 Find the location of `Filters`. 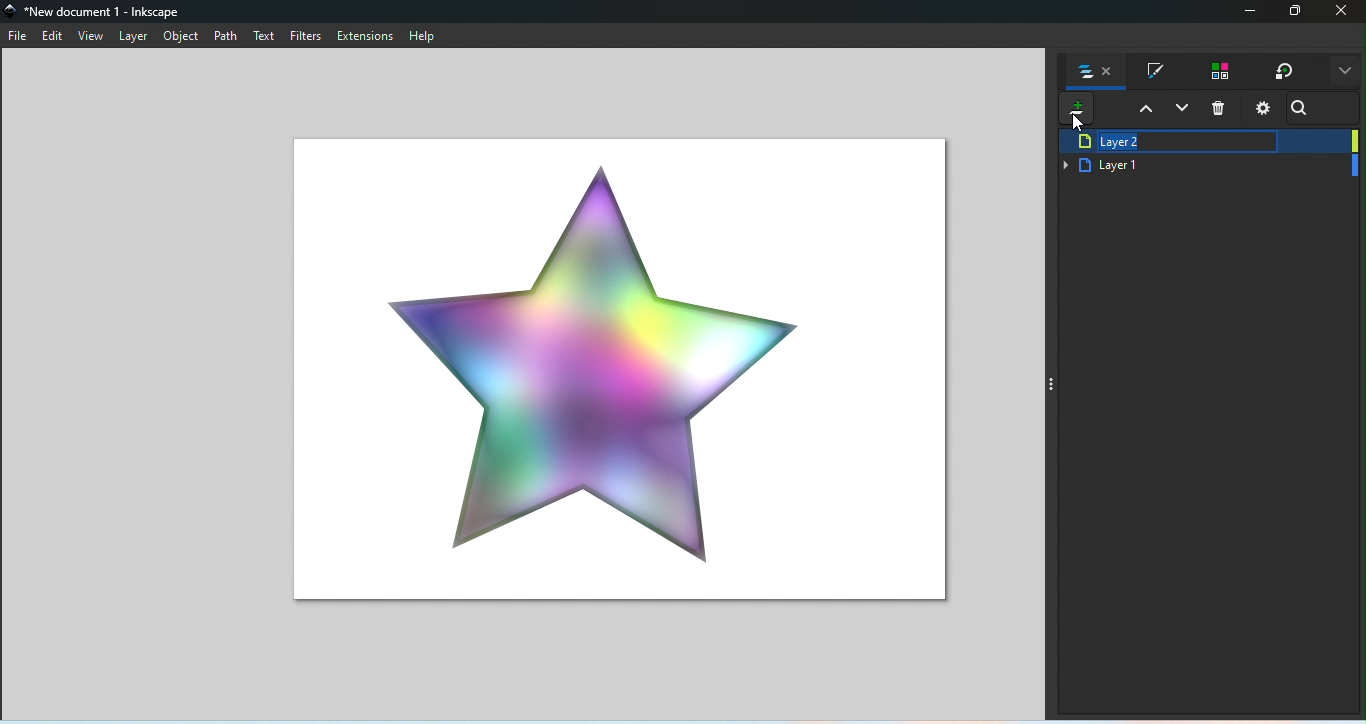

Filters is located at coordinates (307, 37).